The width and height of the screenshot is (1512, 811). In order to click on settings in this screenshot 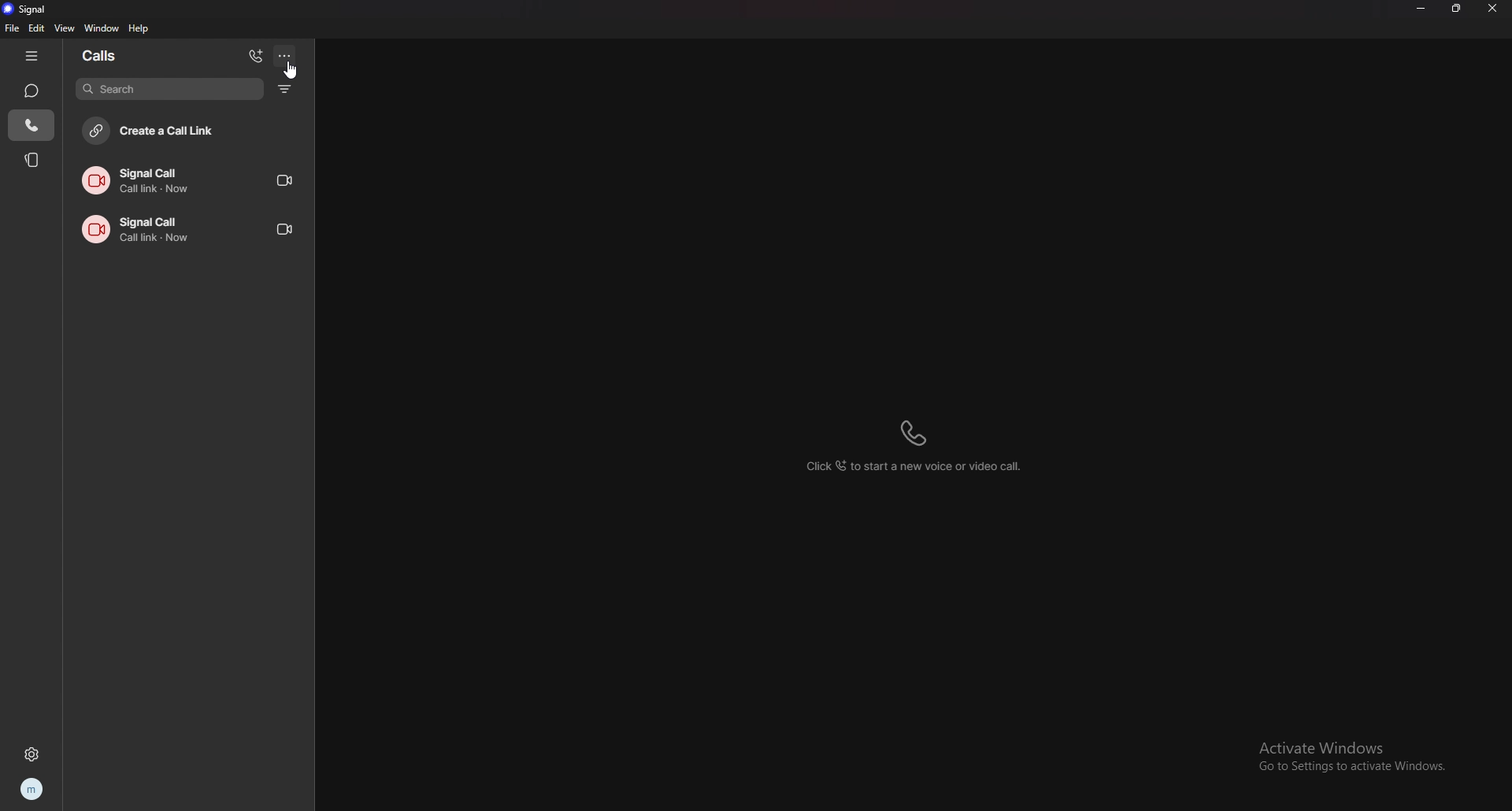, I will do `click(31, 754)`.